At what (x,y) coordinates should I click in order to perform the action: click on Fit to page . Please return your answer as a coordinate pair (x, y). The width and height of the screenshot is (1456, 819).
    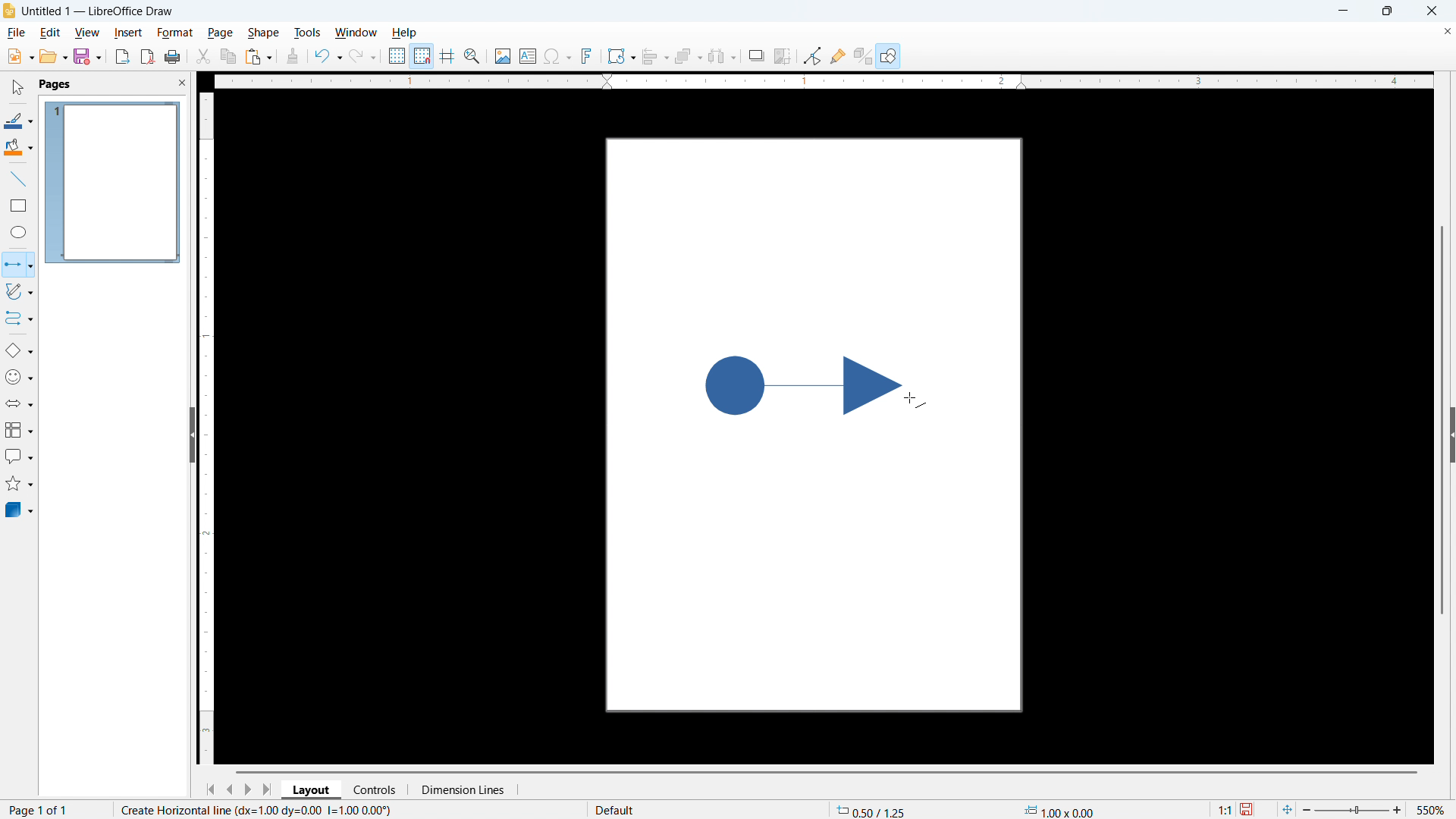
    Looking at the image, I should click on (1286, 810).